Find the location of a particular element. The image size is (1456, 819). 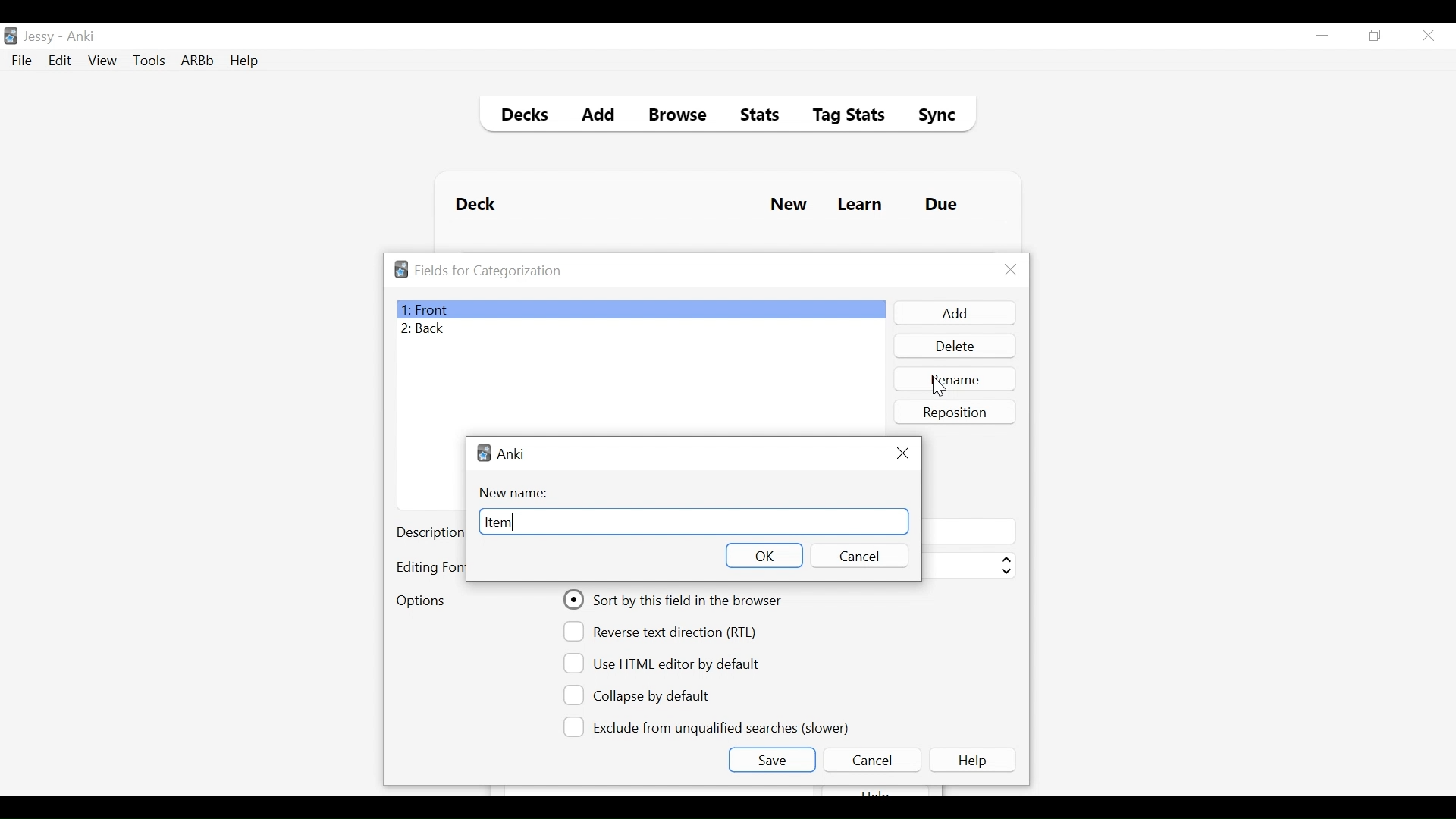

Advanced Review Button bar is located at coordinates (198, 61).